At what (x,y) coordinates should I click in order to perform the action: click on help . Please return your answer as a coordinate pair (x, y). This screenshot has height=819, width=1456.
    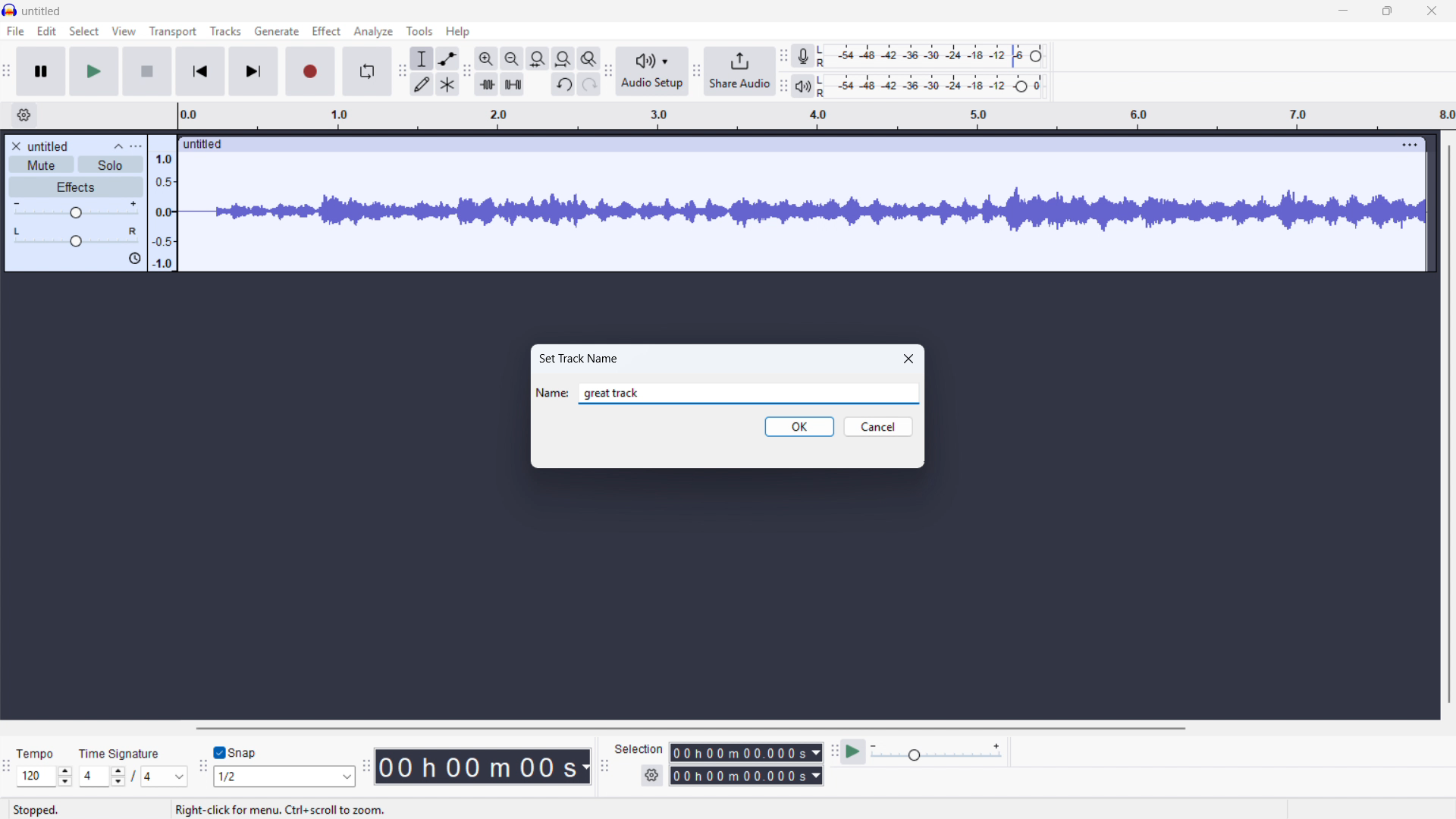
    Looking at the image, I should click on (457, 32).